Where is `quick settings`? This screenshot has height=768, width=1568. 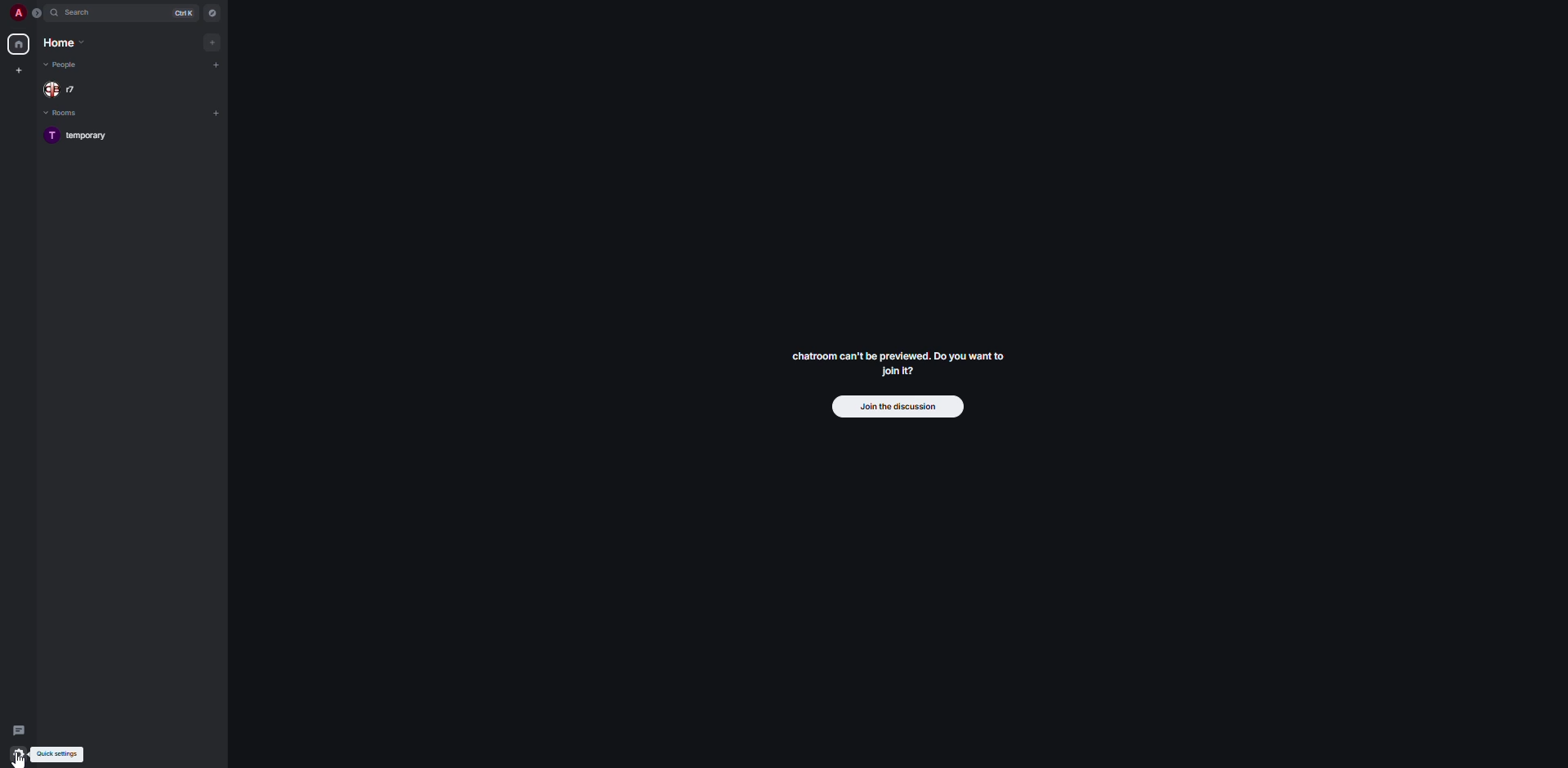 quick settings is located at coordinates (57, 756).